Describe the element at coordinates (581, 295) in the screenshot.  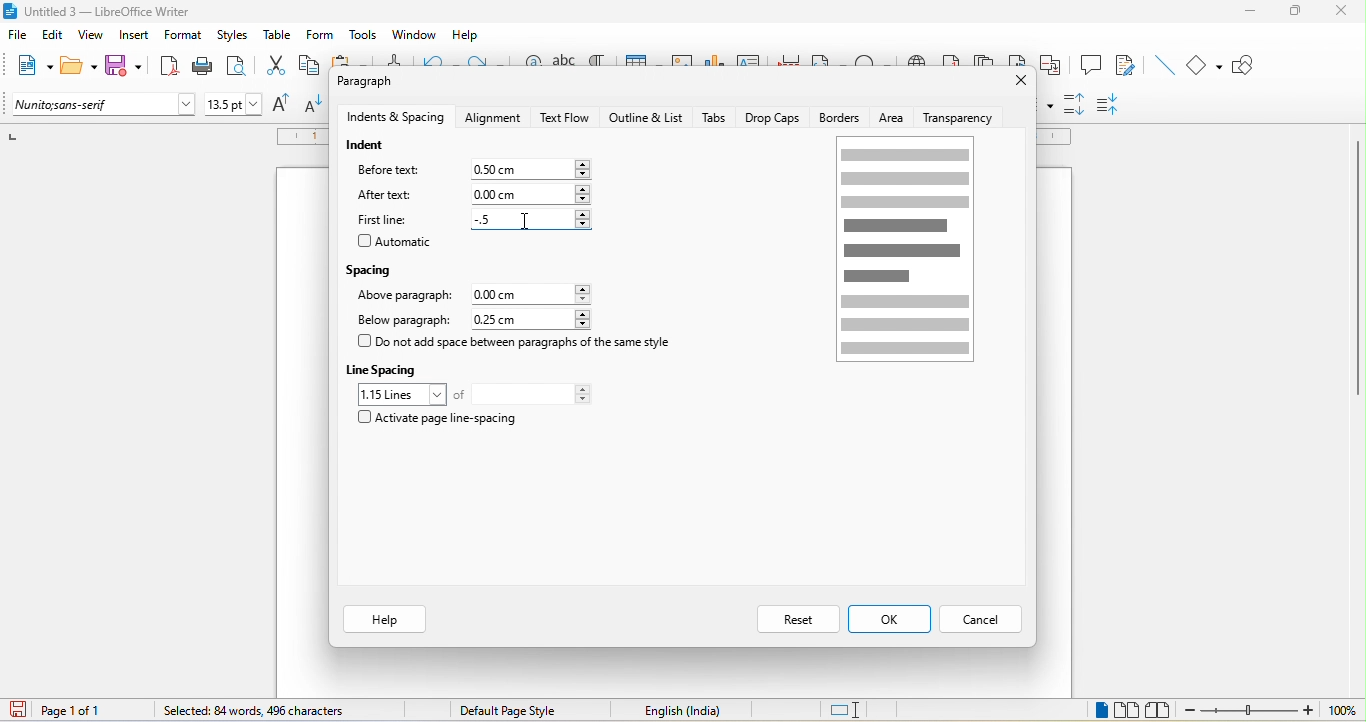
I see `increase or decrease` at that location.